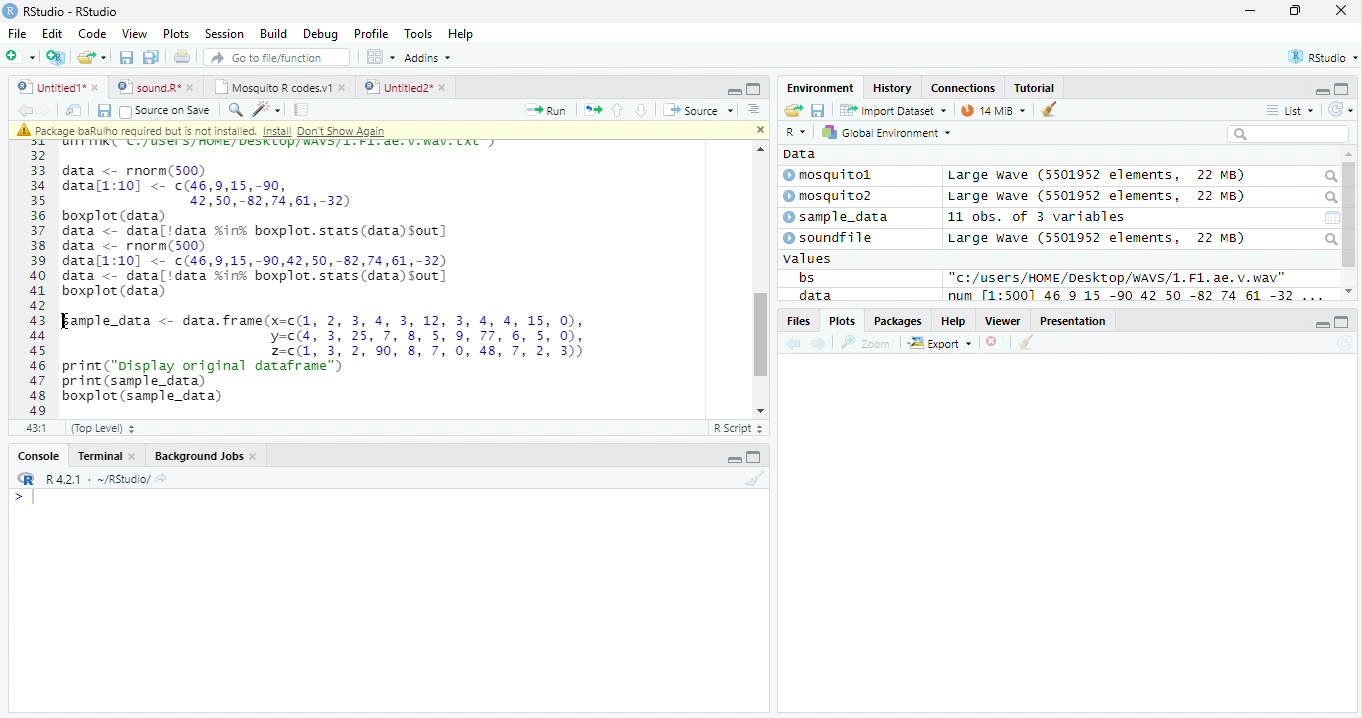 This screenshot has height=718, width=1362. I want to click on 11 obs. of 3 variables, so click(1037, 217).